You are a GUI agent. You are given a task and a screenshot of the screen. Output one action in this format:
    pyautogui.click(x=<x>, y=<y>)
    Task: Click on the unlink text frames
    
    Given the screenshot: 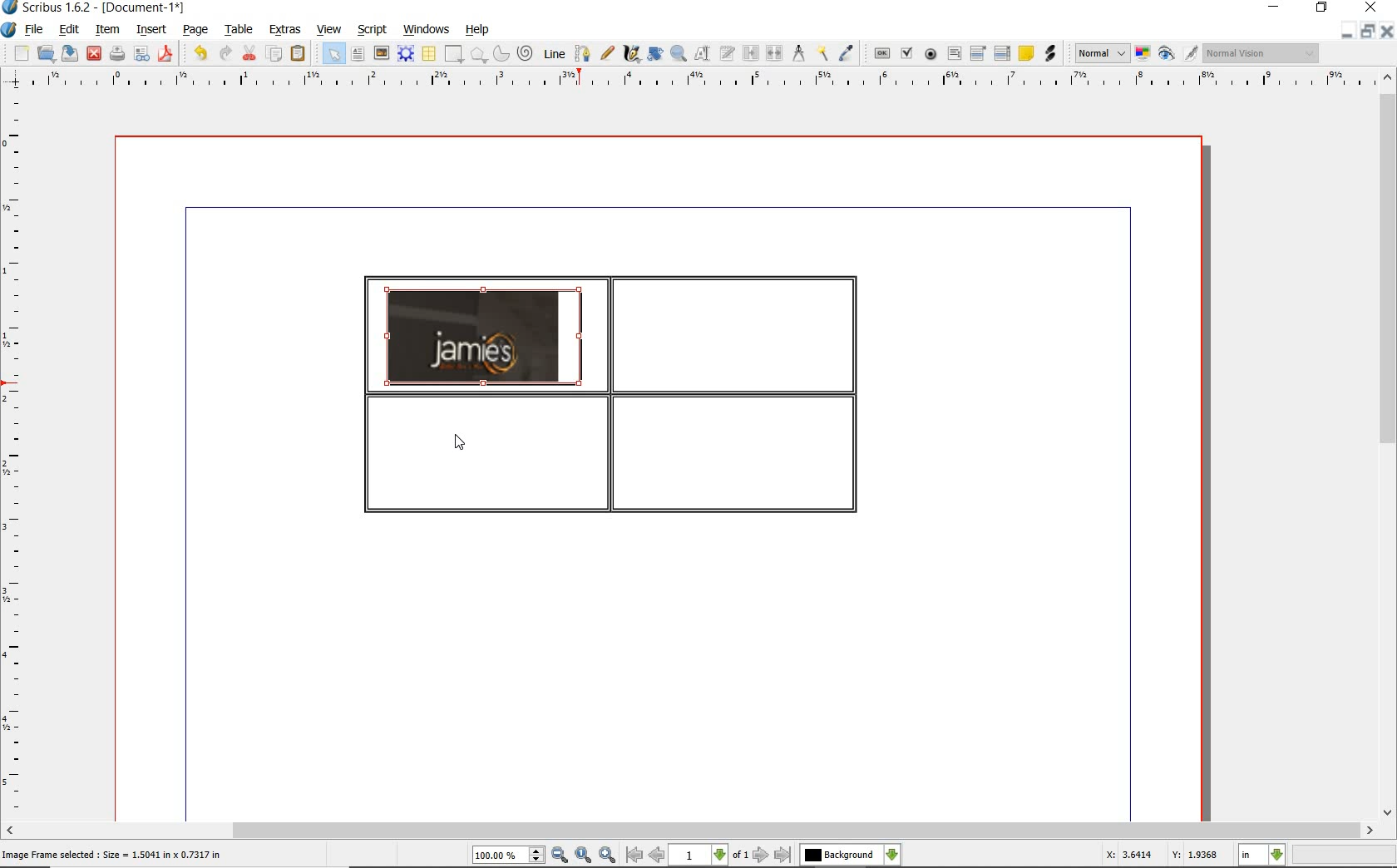 What is the action you would take?
    pyautogui.click(x=776, y=53)
    